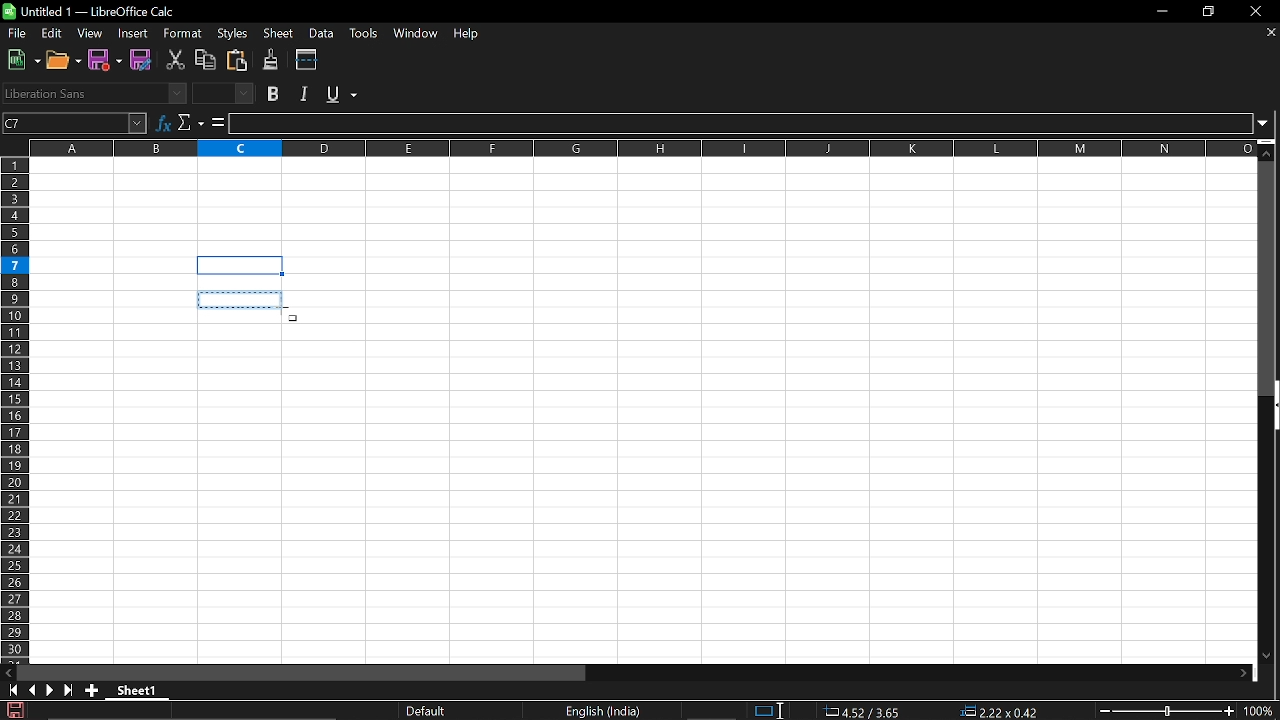 This screenshot has height=720, width=1280. I want to click on Close , so click(1260, 11).